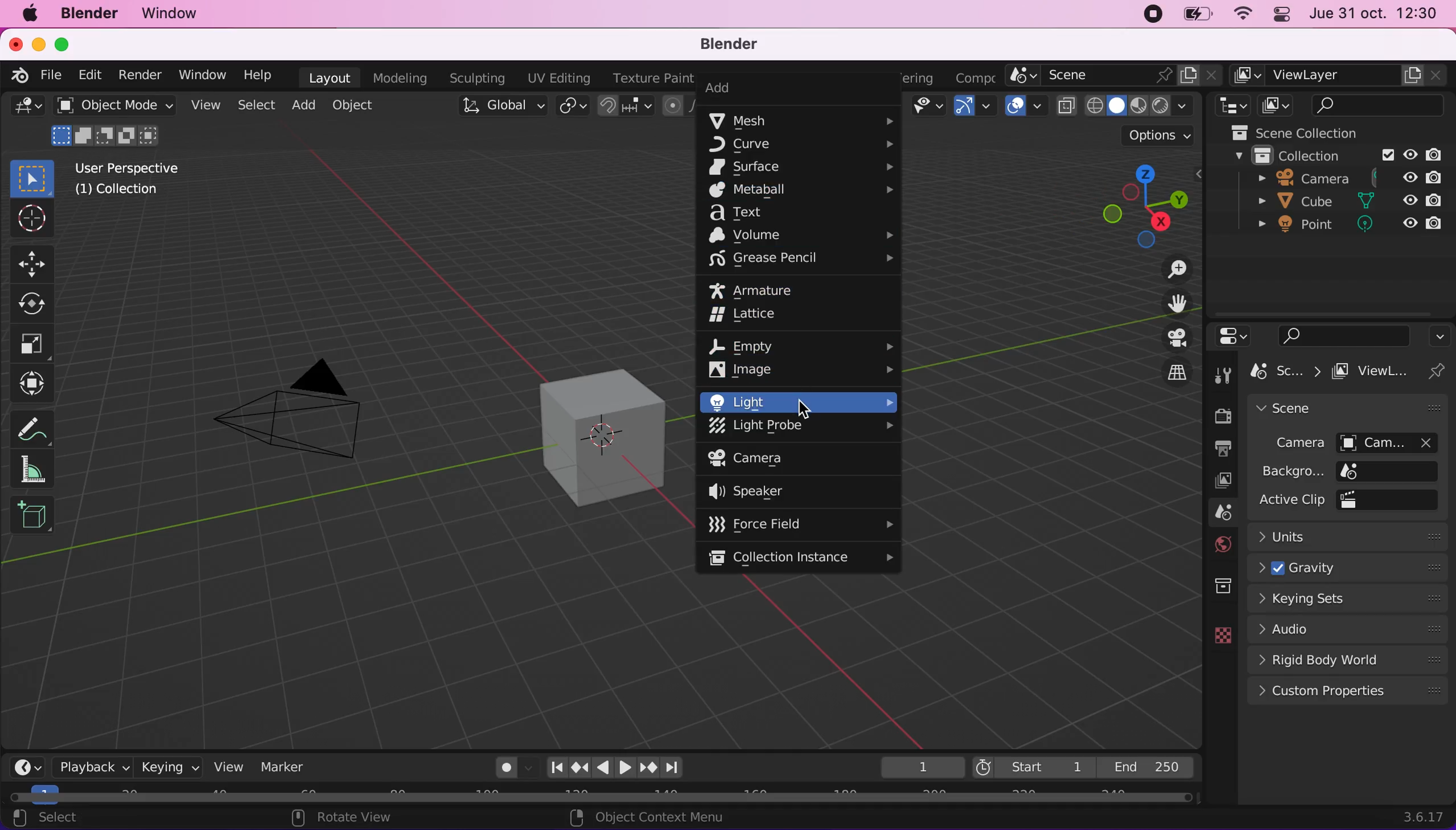 The image size is (1456, 830). I want to click on background, so click(1391, 470).